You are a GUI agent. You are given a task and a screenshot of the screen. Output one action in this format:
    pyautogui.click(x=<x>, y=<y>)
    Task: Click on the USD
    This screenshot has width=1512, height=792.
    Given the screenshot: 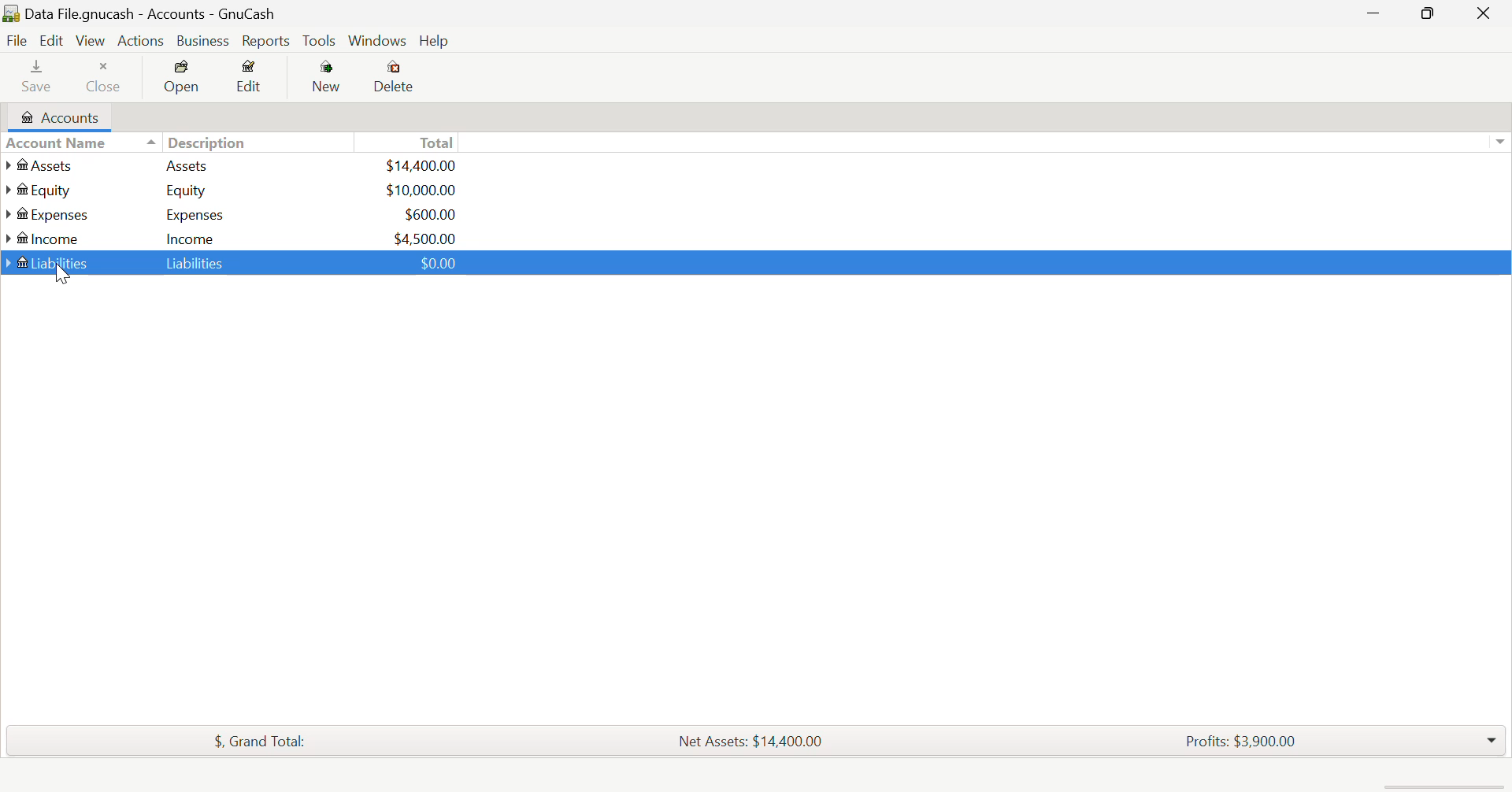 What is the action you would take?
    pyautogui.click(x=430, y=214)
    